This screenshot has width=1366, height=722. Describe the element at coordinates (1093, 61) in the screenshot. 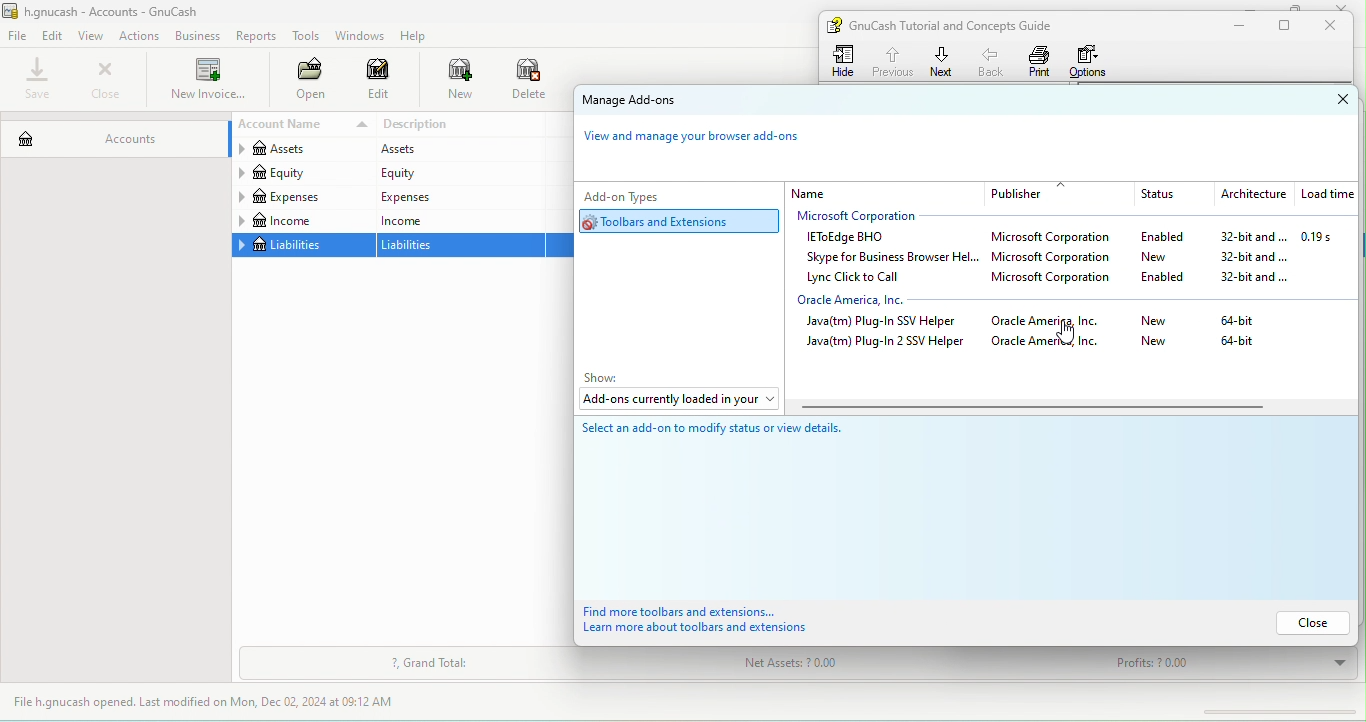

I see `options` at that location.